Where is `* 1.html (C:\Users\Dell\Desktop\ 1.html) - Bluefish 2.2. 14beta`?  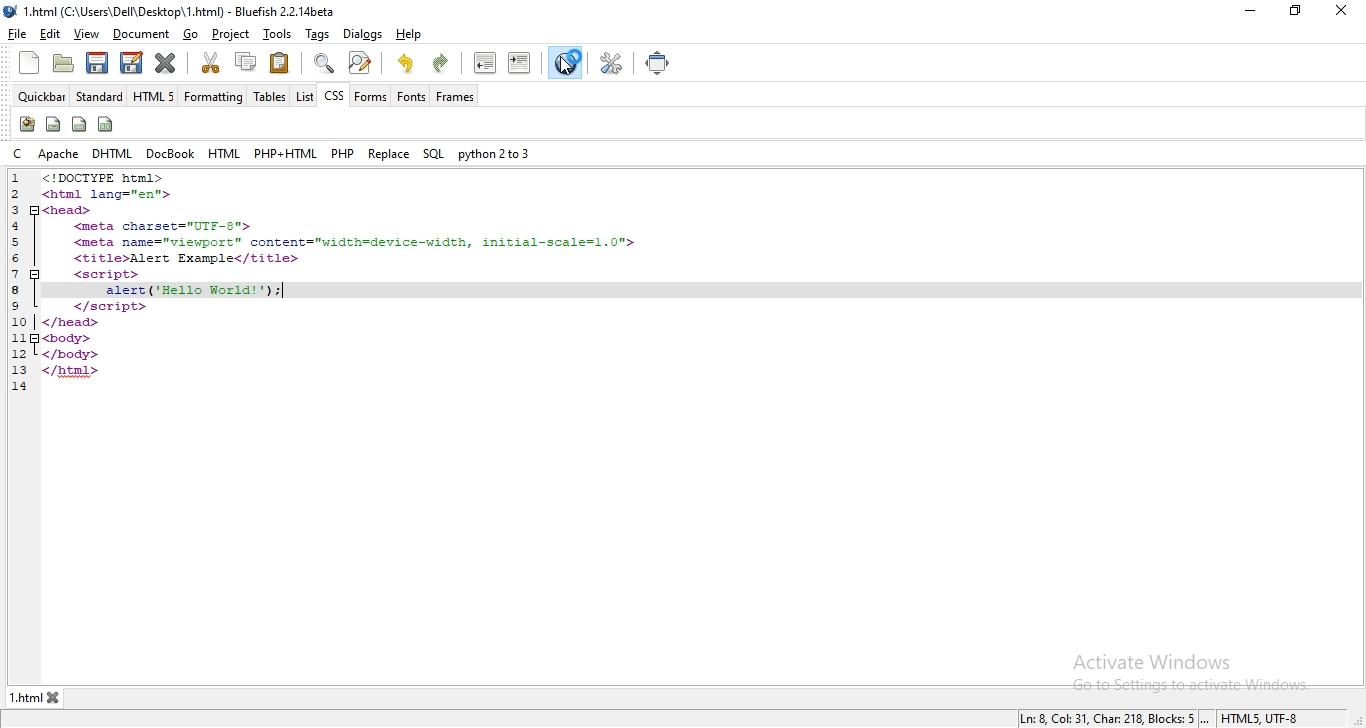
* 1.html (C:\Users\Dell\Desktop\ 1.html) - Bluefish 2.2. 14beta is located at coordinates (190, 12).